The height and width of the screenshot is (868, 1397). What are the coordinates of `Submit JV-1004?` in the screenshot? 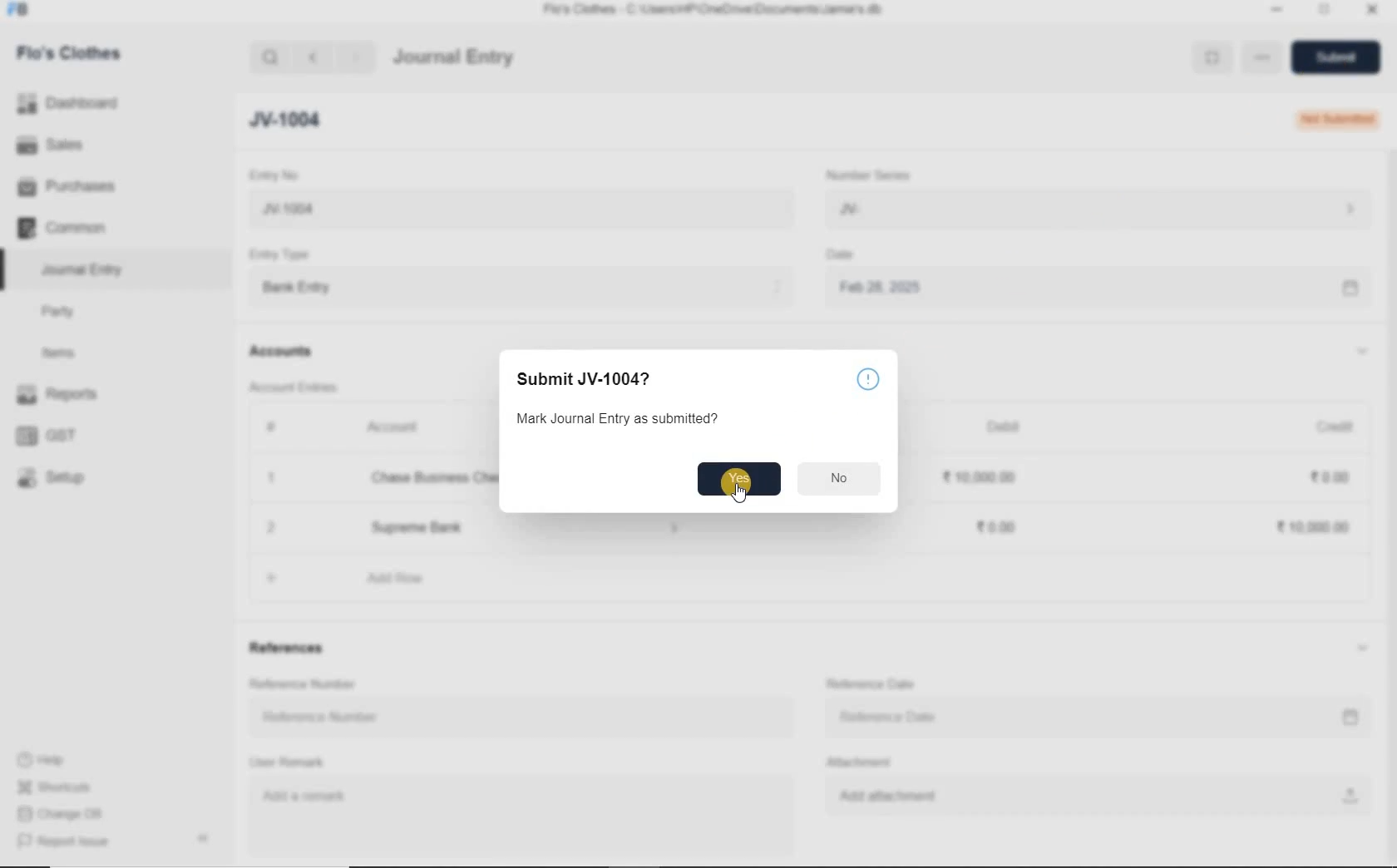 It's located at (585, 378).